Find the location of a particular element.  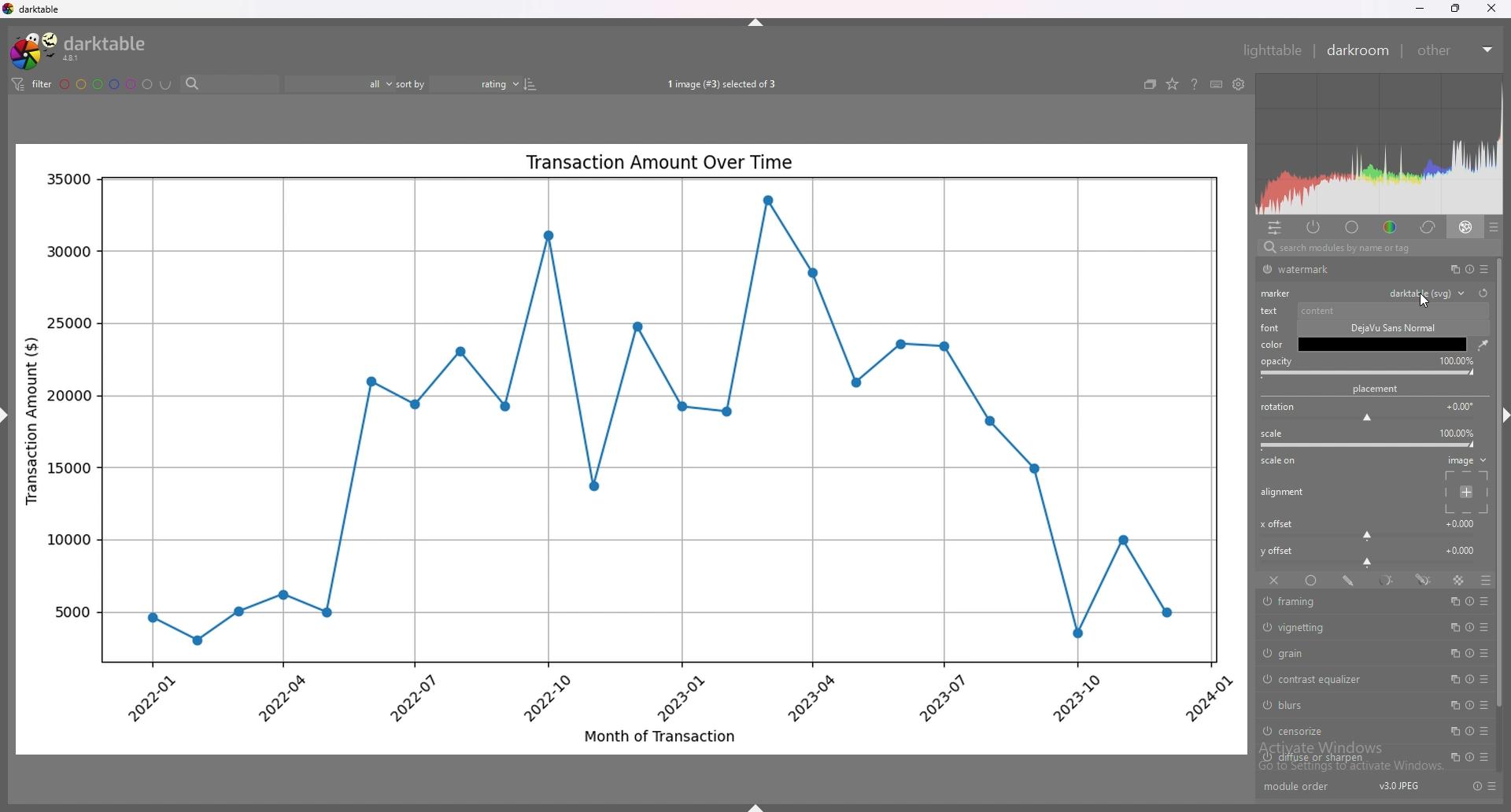

multiple instances action is located at coordinates (1454, 654).